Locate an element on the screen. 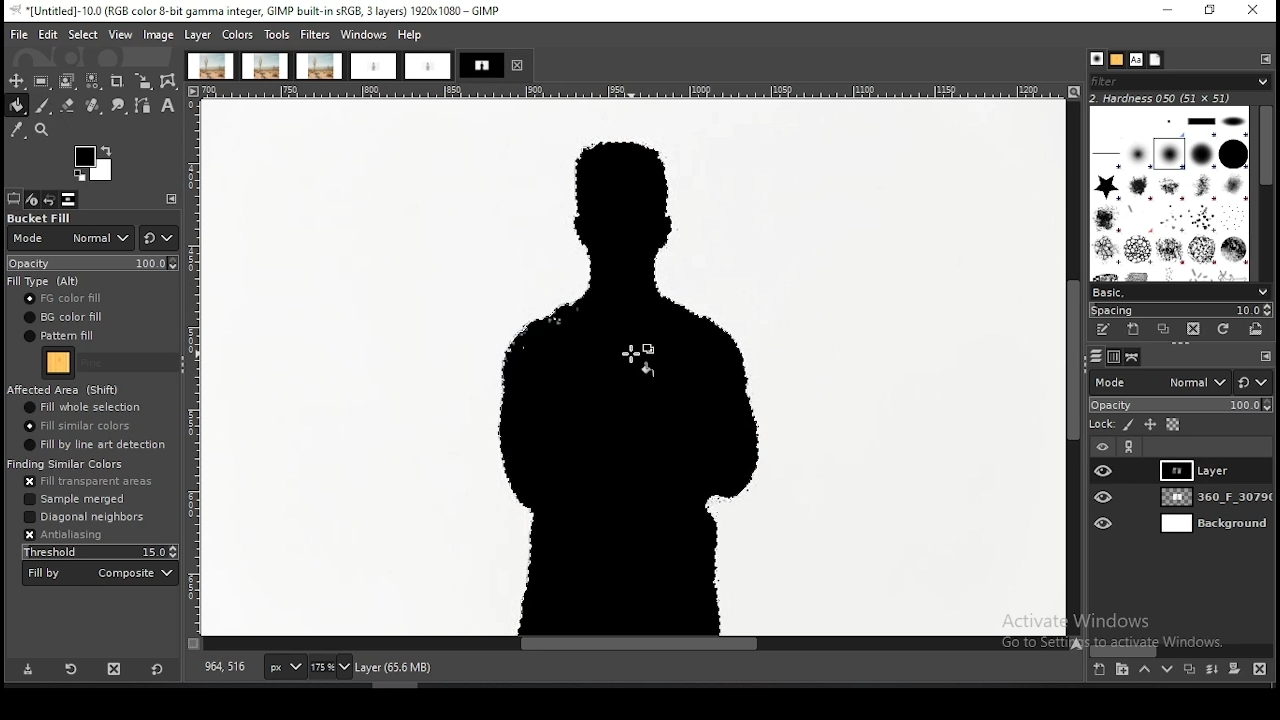 The width and height of the screenshot is (1280, 720). diagonal neighbors is located at coordinates (86, 518).